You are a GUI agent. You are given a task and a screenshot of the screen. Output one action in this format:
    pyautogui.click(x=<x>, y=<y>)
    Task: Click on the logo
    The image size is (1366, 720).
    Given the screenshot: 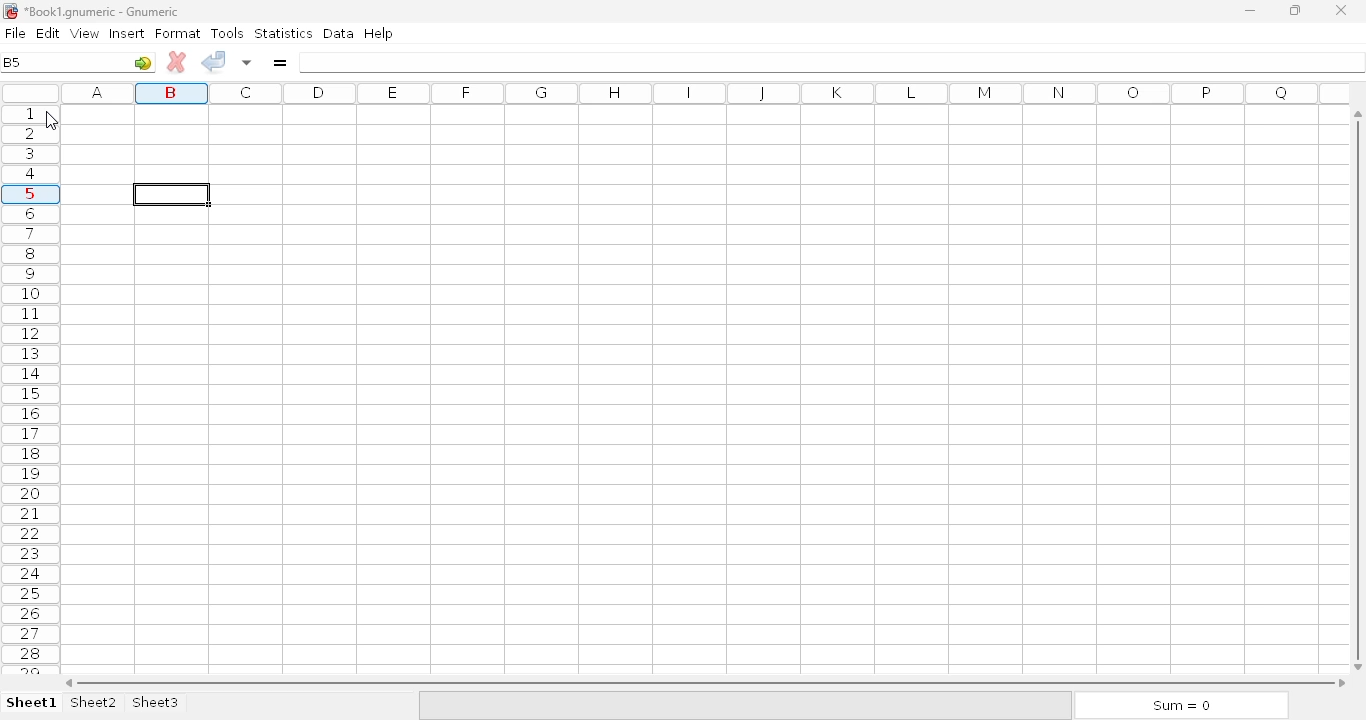 What is the action you would take?
    pyautogui.click(x=9, y=11)
    